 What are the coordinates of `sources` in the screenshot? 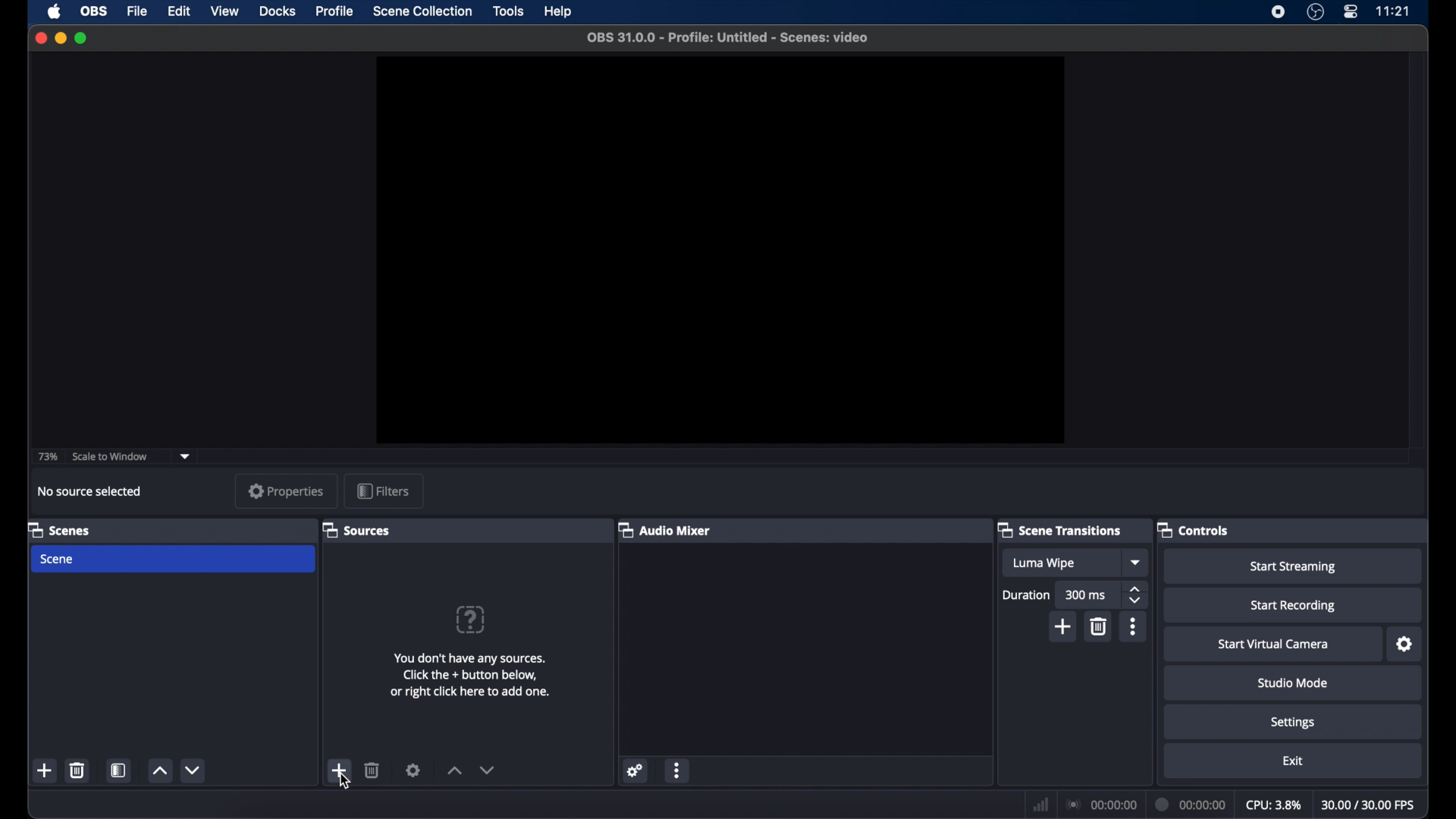 It's located at (356, 531).